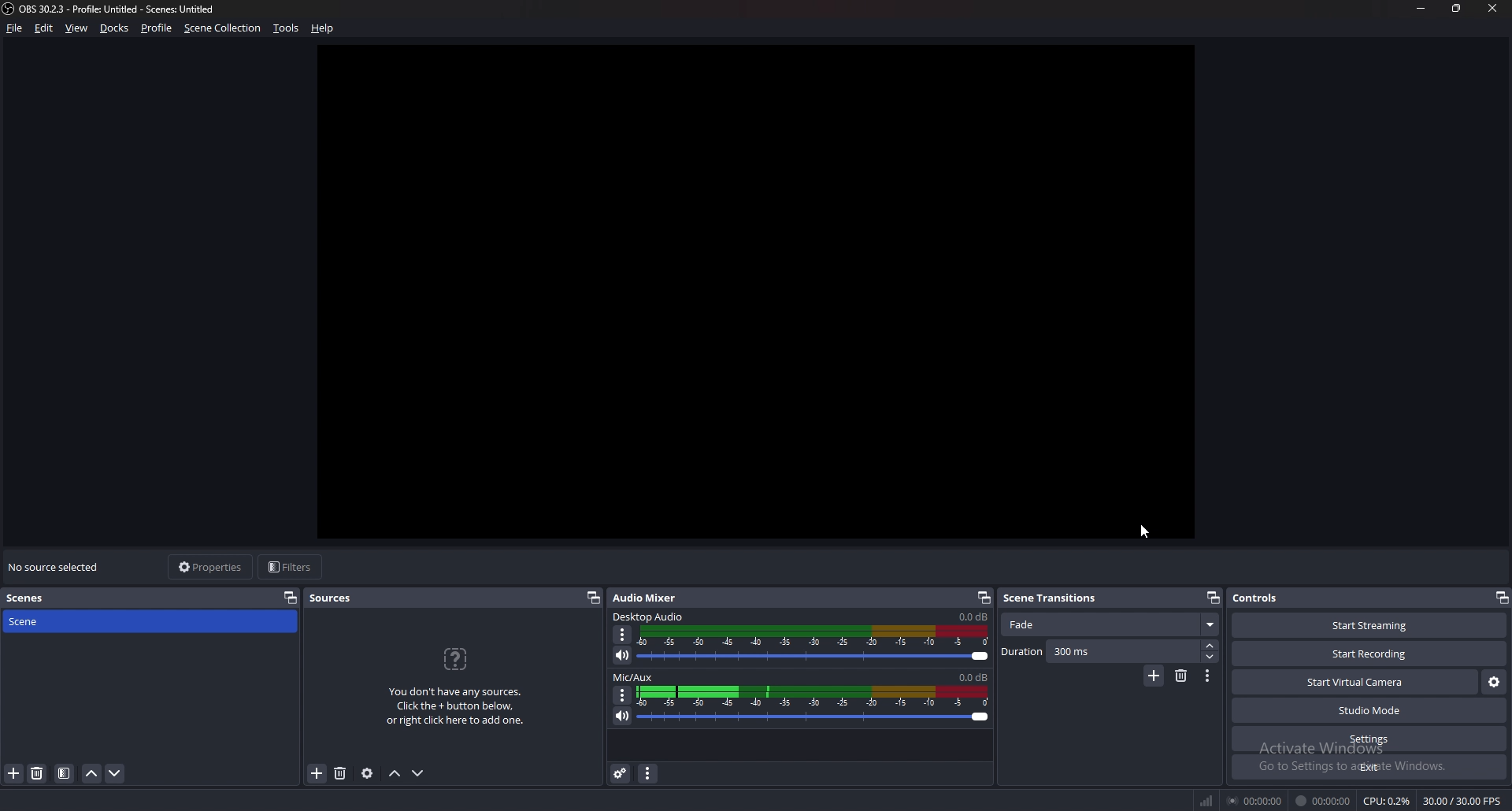 Image resolution: width=1512 pixels, height=811 pixels. Describe the element at coordinates (742, 295) in the screenshot. I see `preview` at that location.